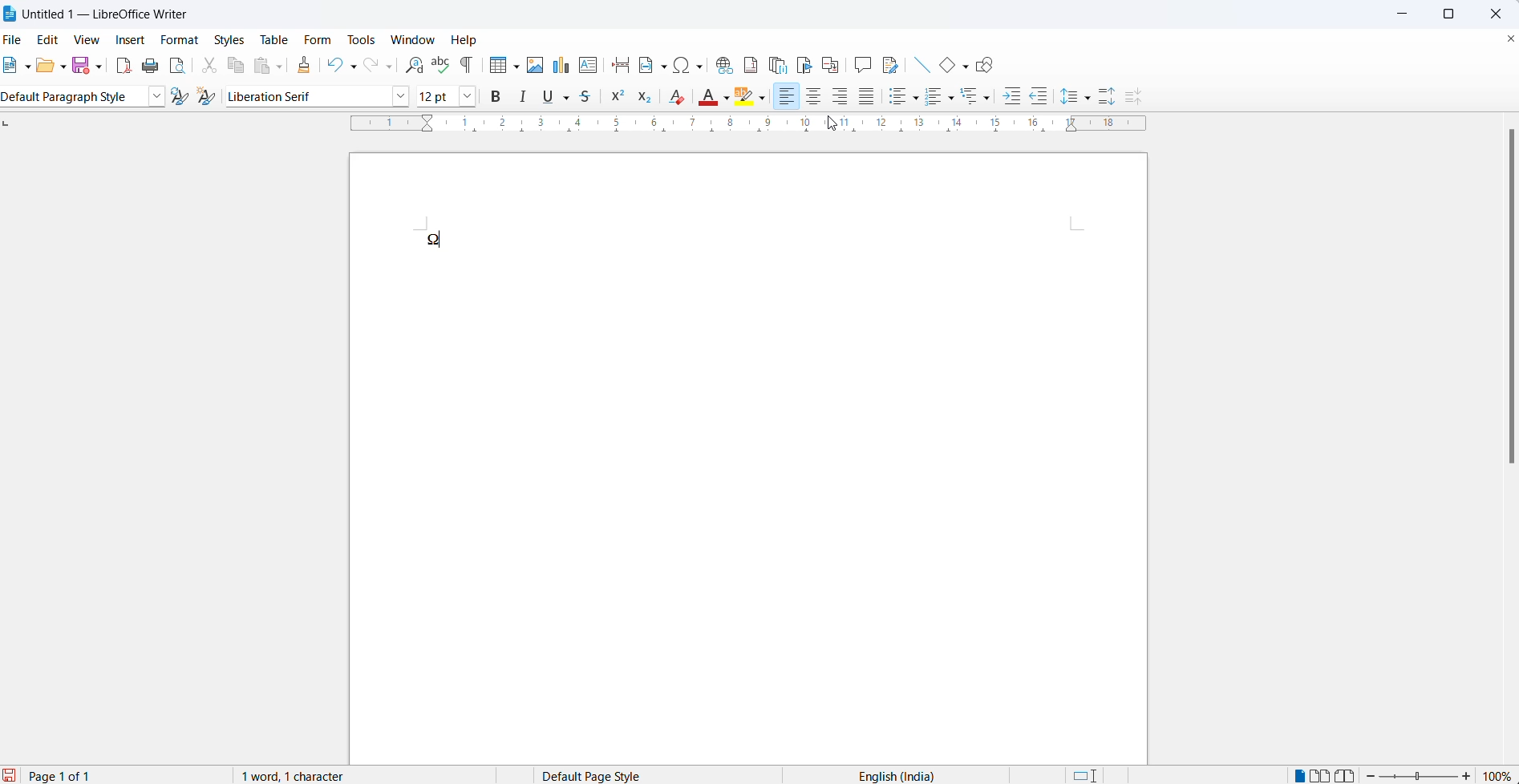 This screenshot has height=784, width=1519. What do you see at coordinates (1300, 774) in the screenshot?
I see `single page view` at bounding box center [1300, 774].